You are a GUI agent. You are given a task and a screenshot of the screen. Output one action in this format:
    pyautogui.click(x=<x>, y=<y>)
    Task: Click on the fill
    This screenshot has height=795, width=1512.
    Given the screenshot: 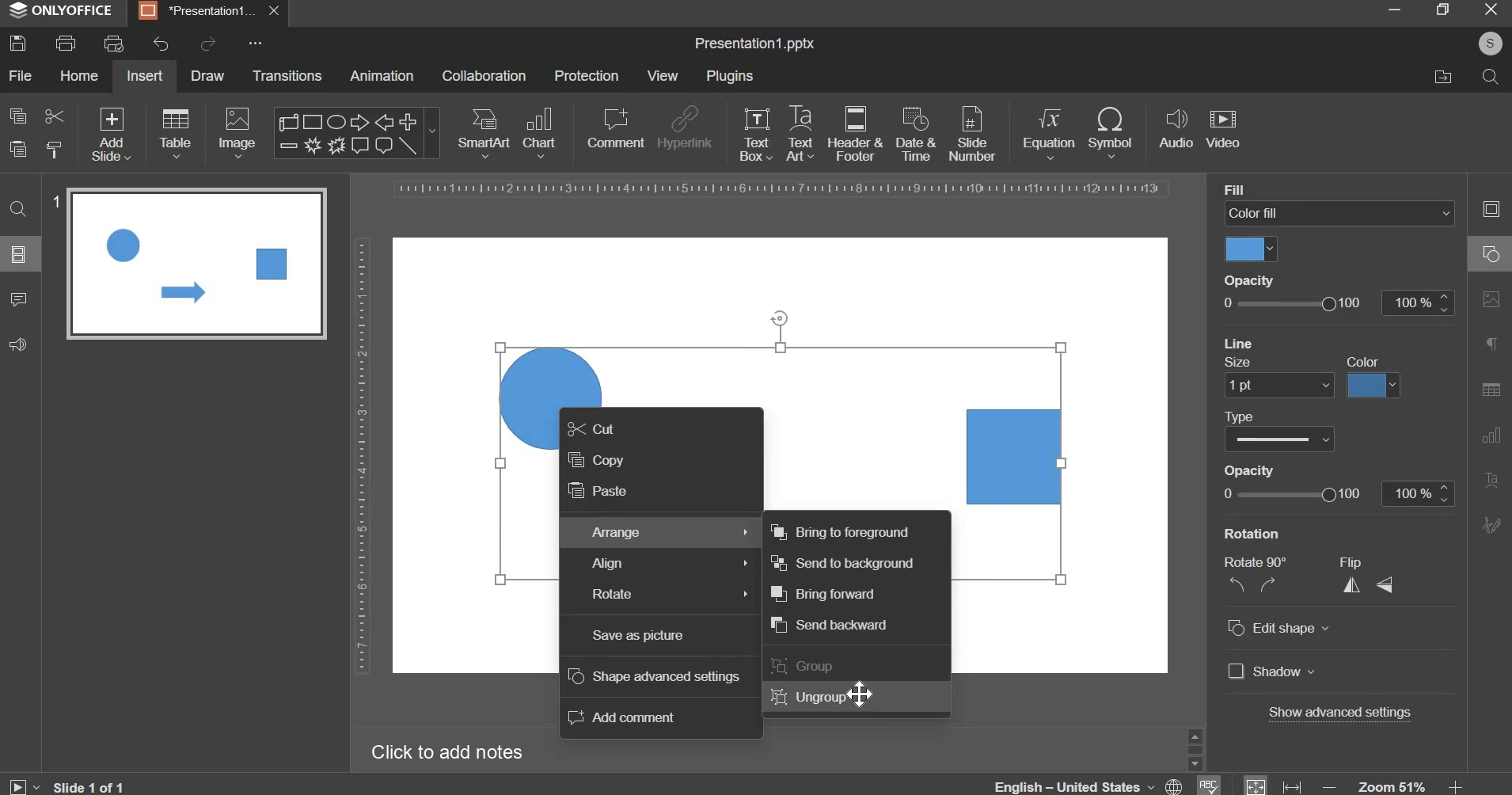 What is the action you would take?
    pyautogui.click(x=1248, y=189)
    